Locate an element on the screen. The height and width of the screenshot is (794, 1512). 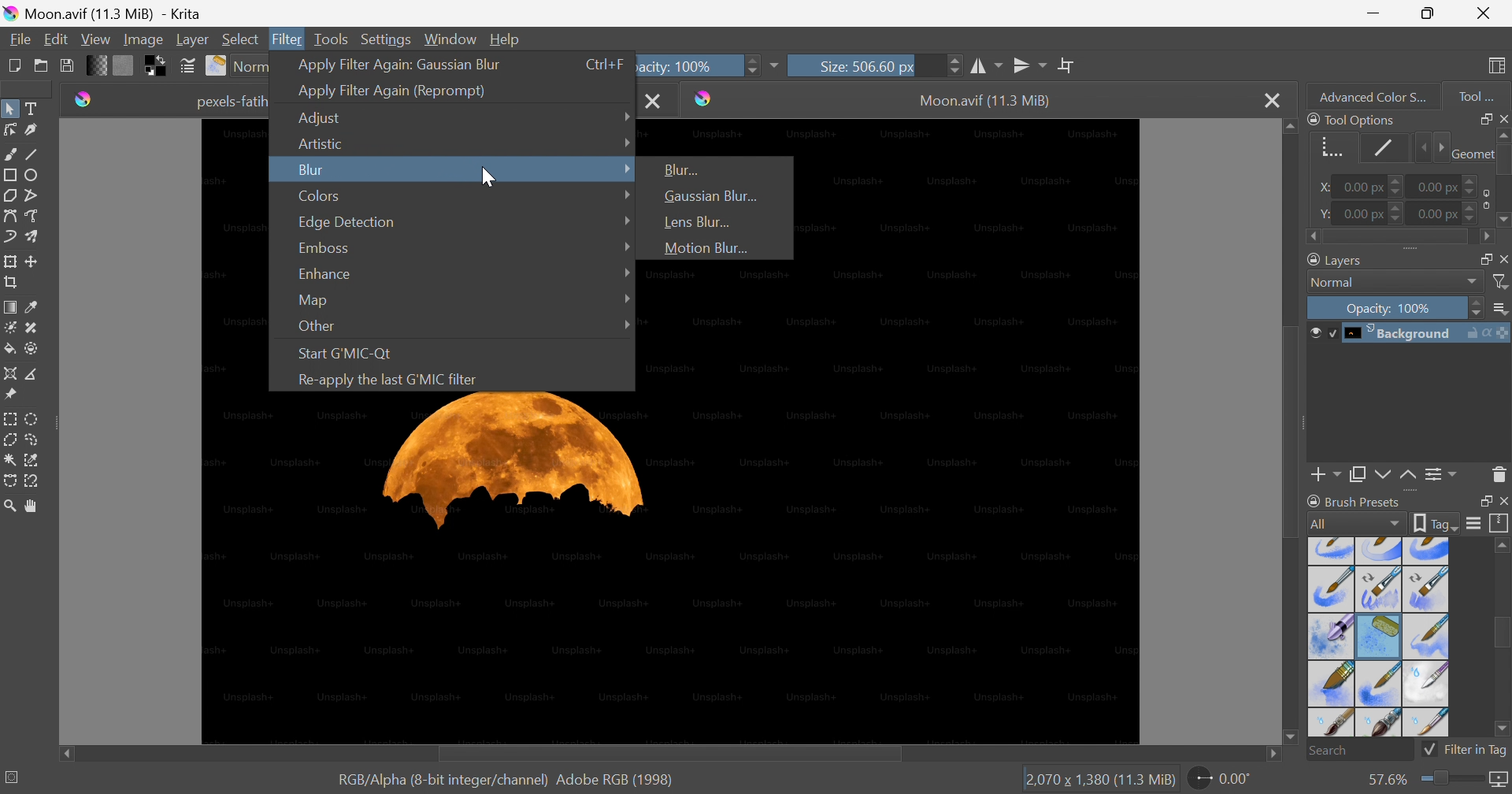
Scroll right is located at coordinates (1276, 755).